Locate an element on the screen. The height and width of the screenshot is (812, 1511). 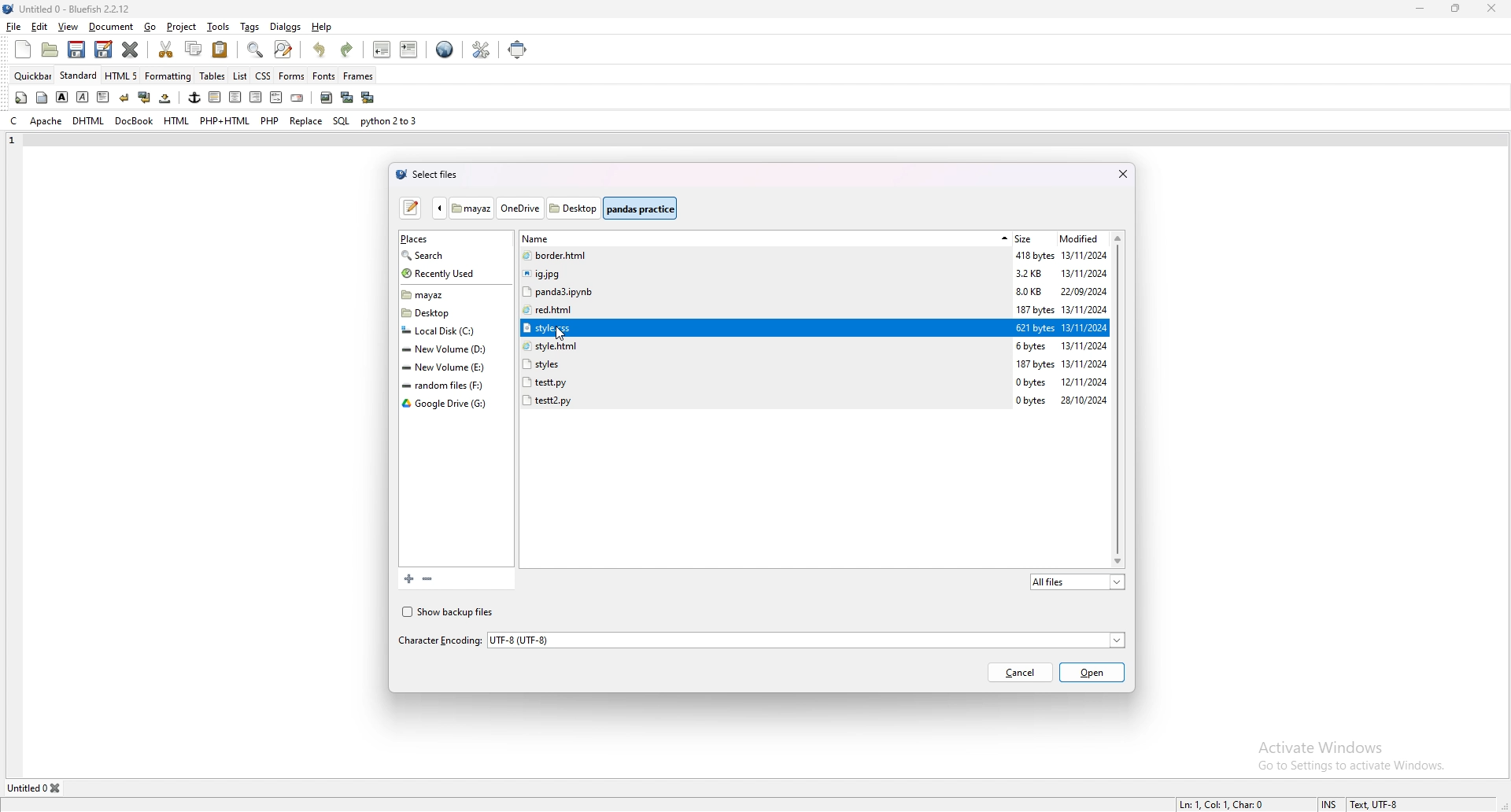
folder is located at coordinates (451, 368).